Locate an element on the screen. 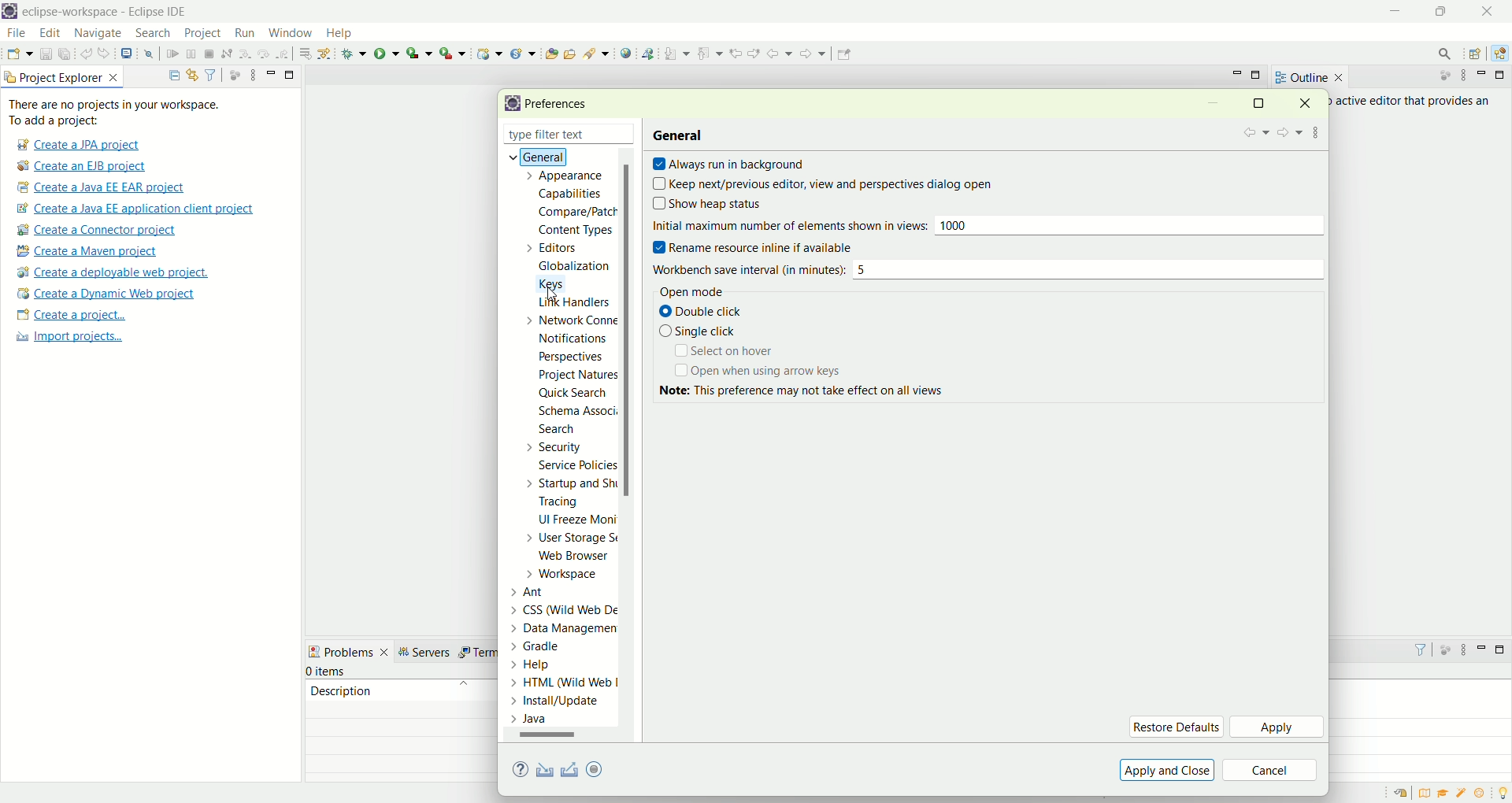  quick search is located at coordinates (573, 395).